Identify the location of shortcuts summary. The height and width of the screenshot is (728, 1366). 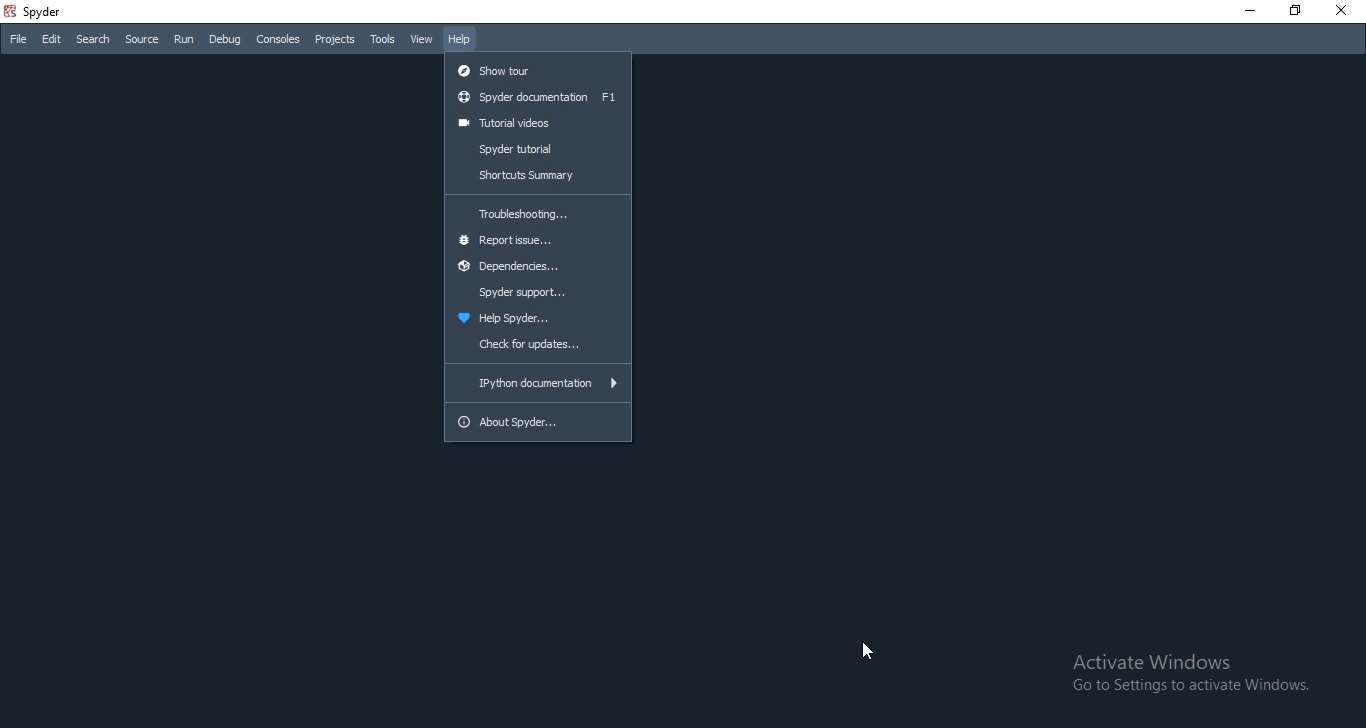
(539, 175).